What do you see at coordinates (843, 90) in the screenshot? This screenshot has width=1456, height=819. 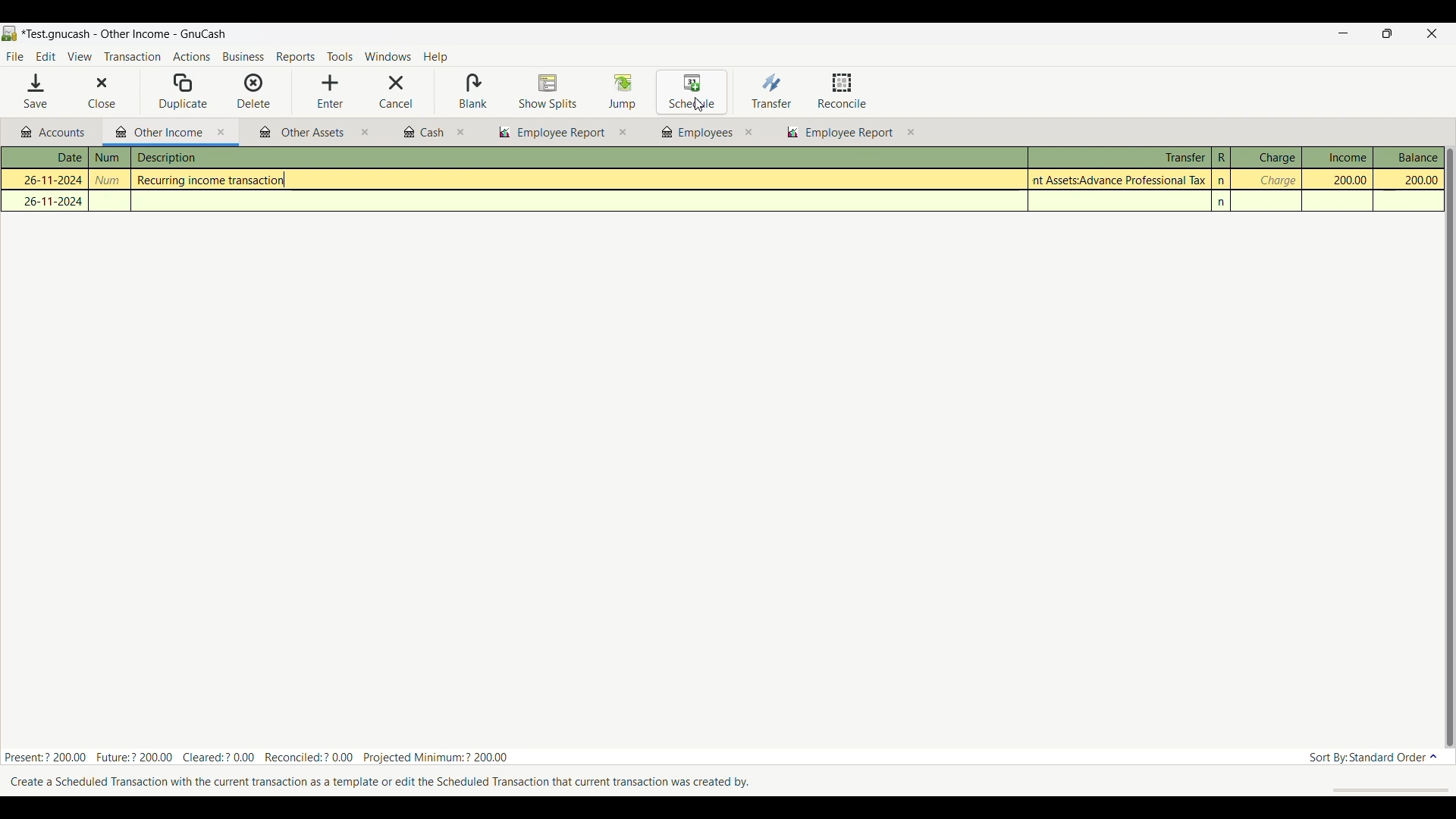 I see `Reconcile` at bounding box center [843, 90].